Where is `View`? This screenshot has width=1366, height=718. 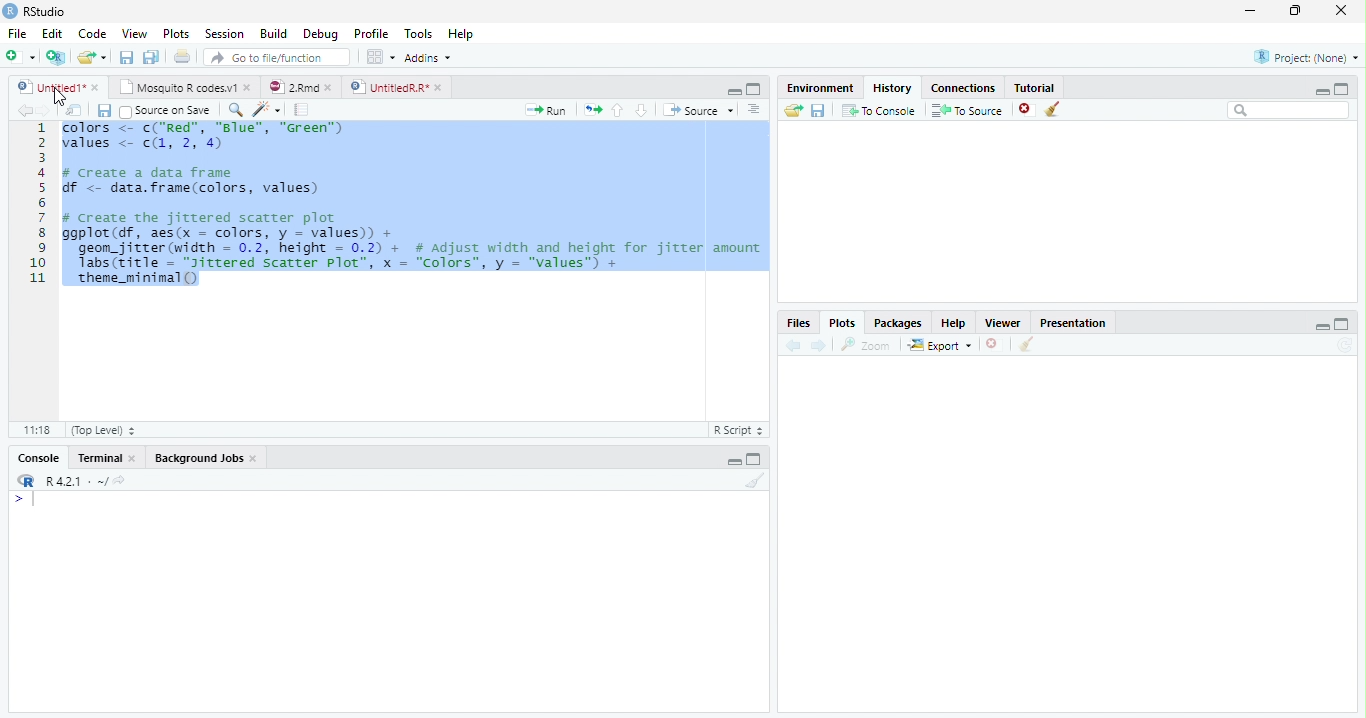 View is located at coordinates (134, 33).